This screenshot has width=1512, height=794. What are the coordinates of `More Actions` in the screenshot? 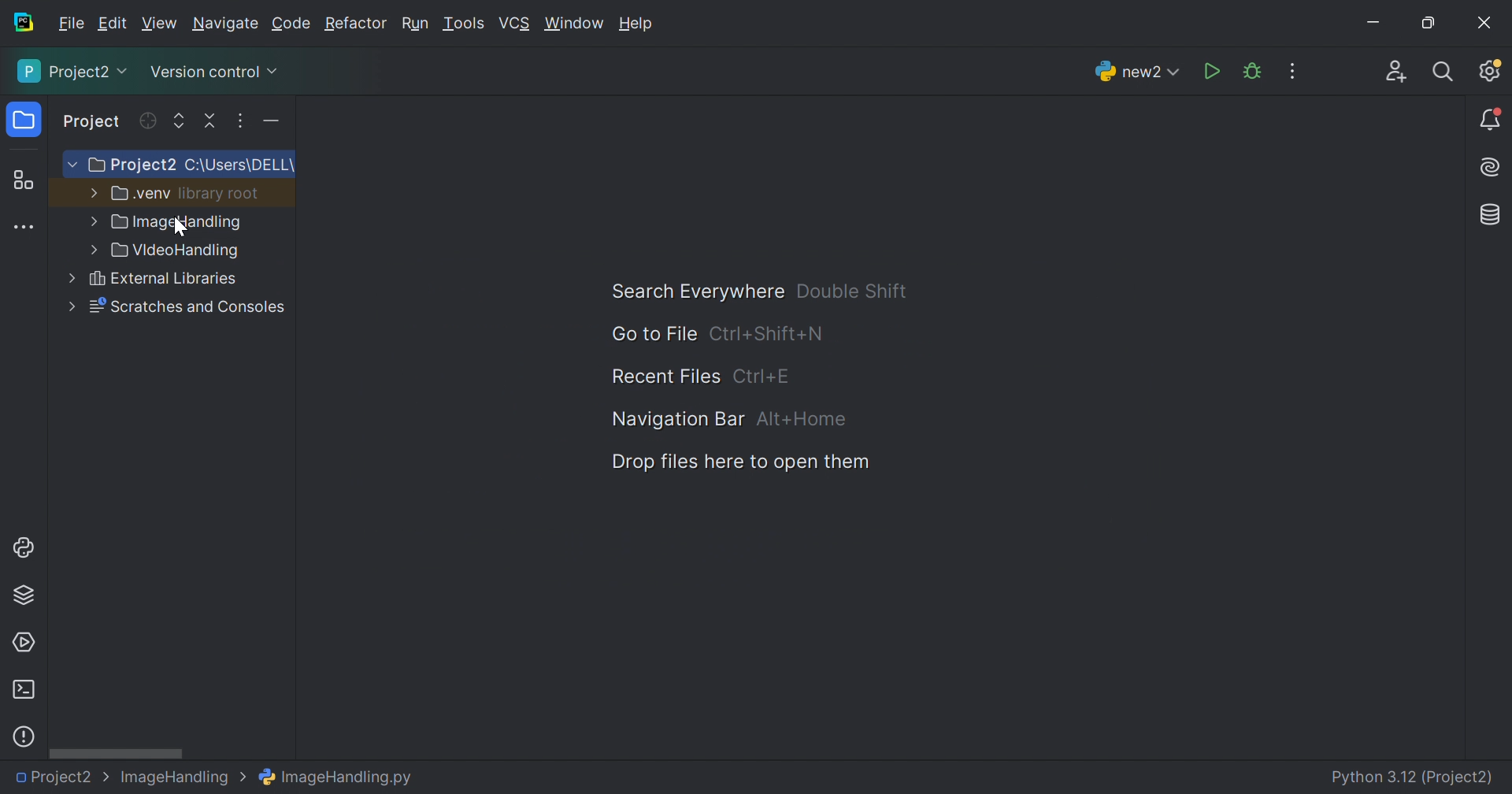 It's located at (1292, 71).